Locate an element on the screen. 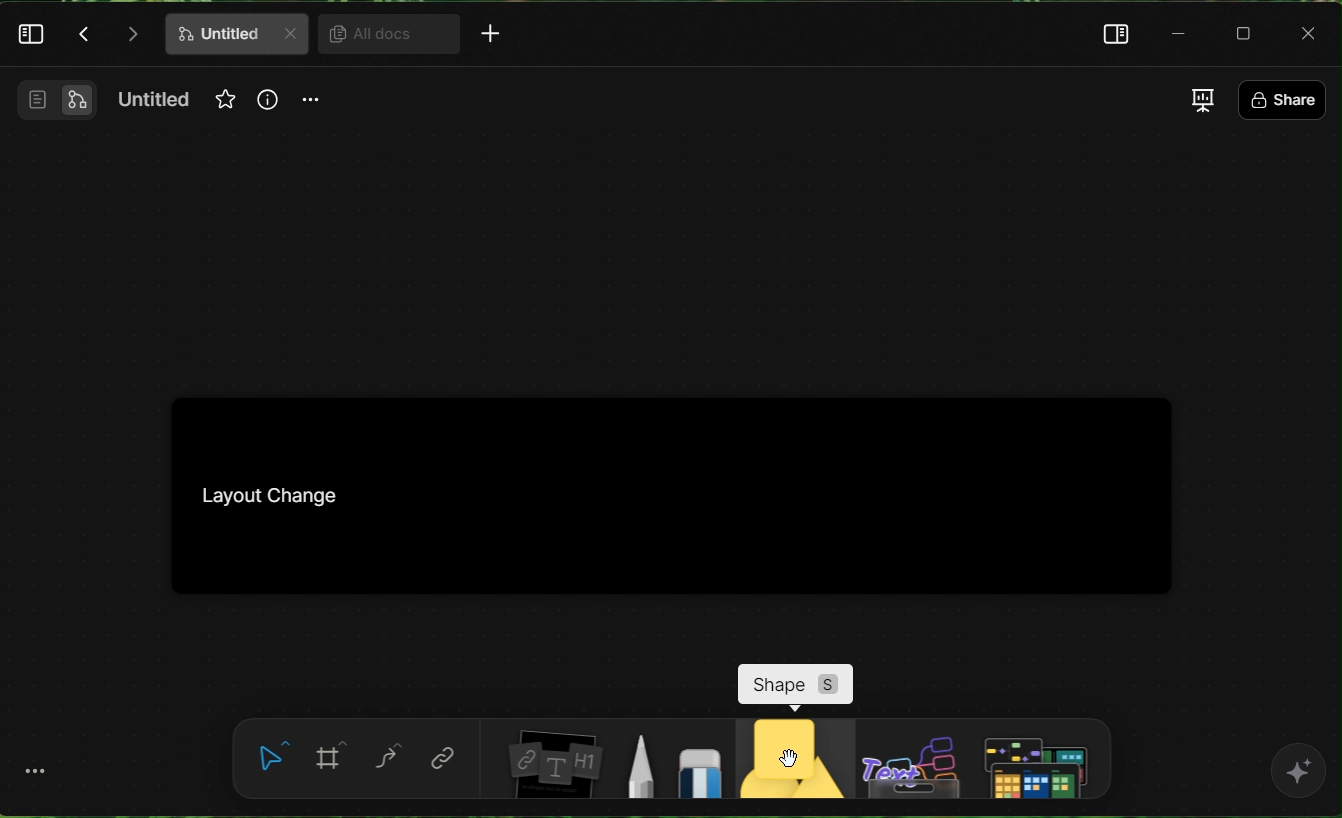  name is located at coordinates (157, 103).